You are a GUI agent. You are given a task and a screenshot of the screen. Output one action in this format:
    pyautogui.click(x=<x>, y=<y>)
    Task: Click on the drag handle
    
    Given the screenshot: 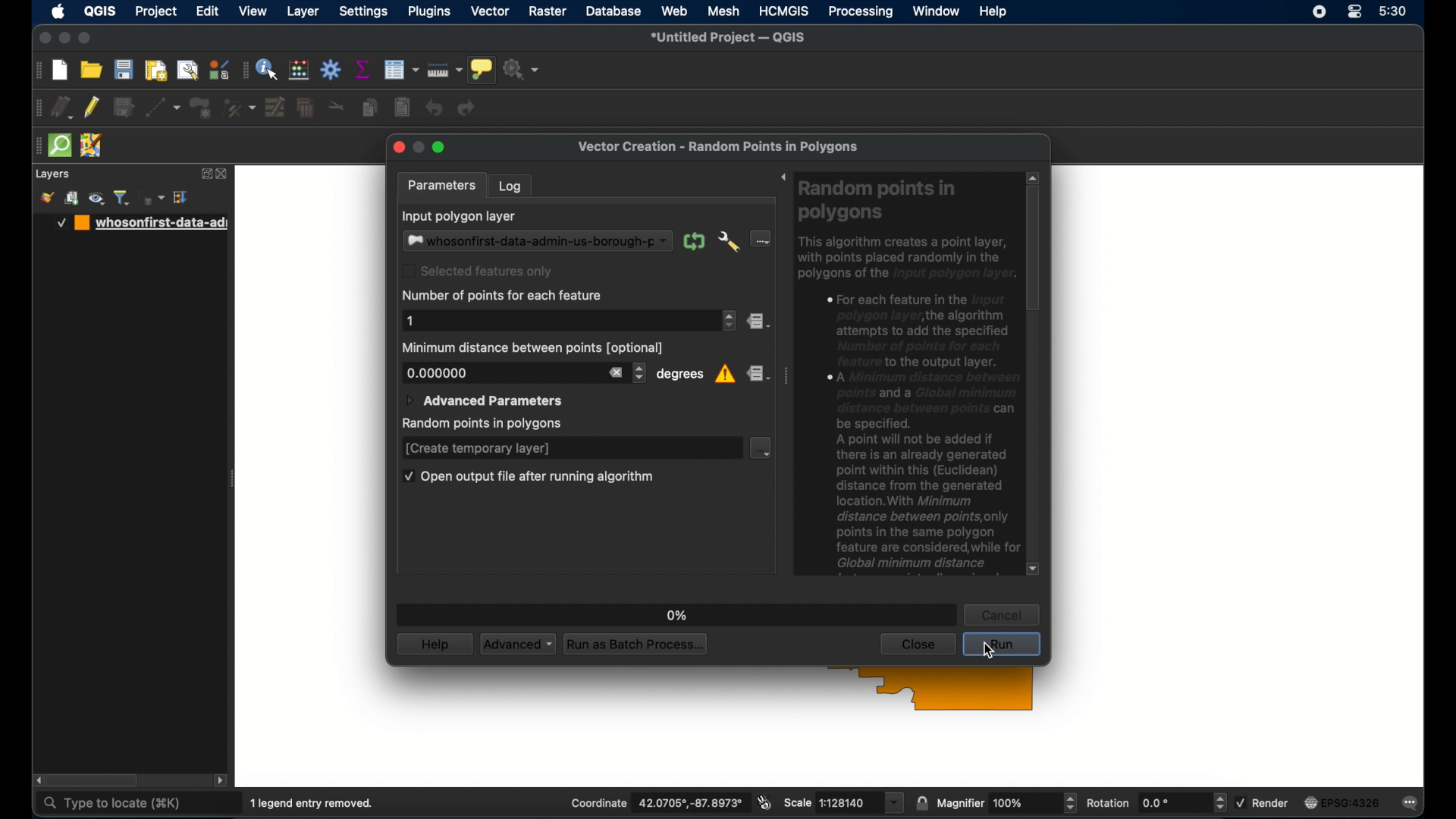 What is the action you would take?
    pyautogui.click(x=36, y=146)
    